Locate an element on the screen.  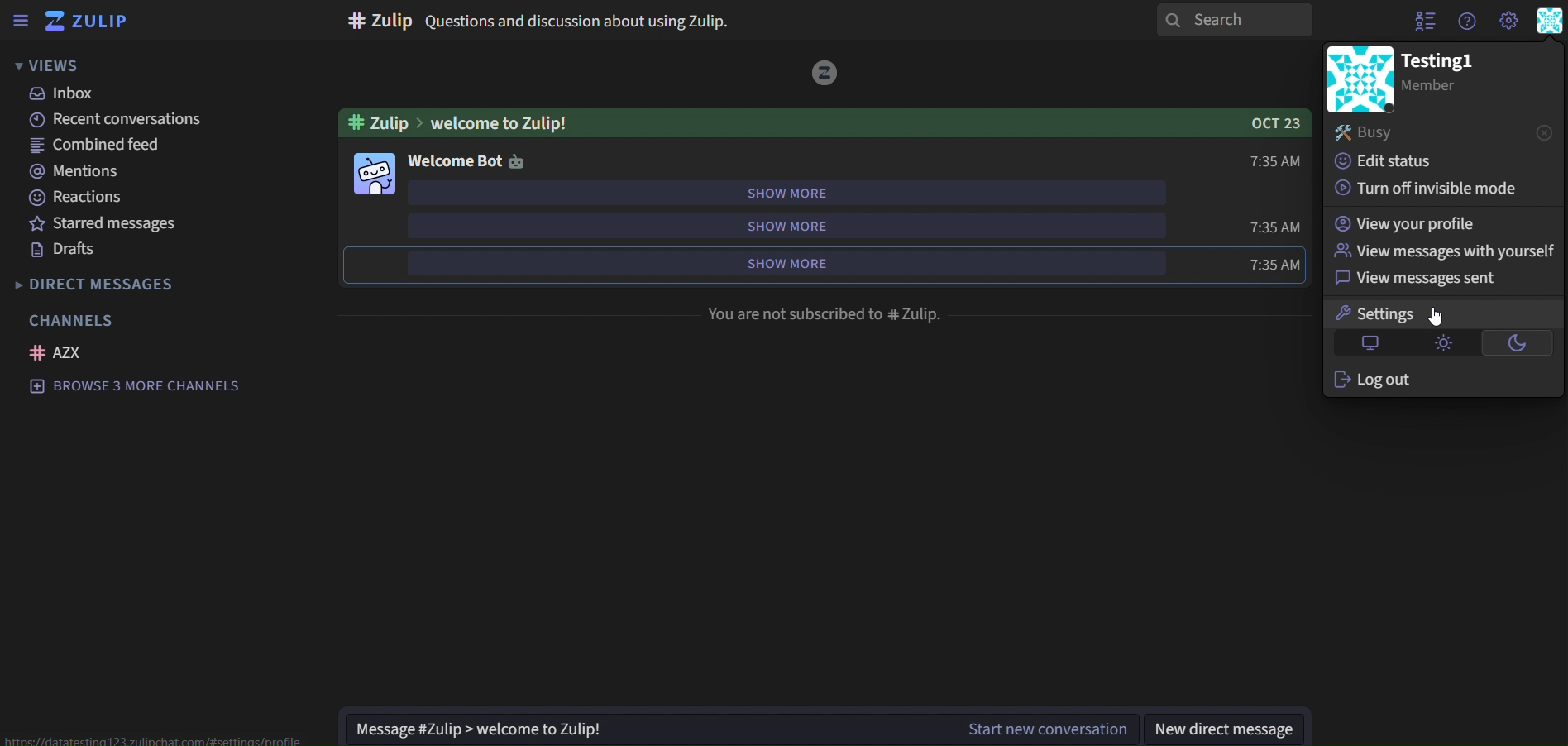
image is located at coordinates (1355, 79).